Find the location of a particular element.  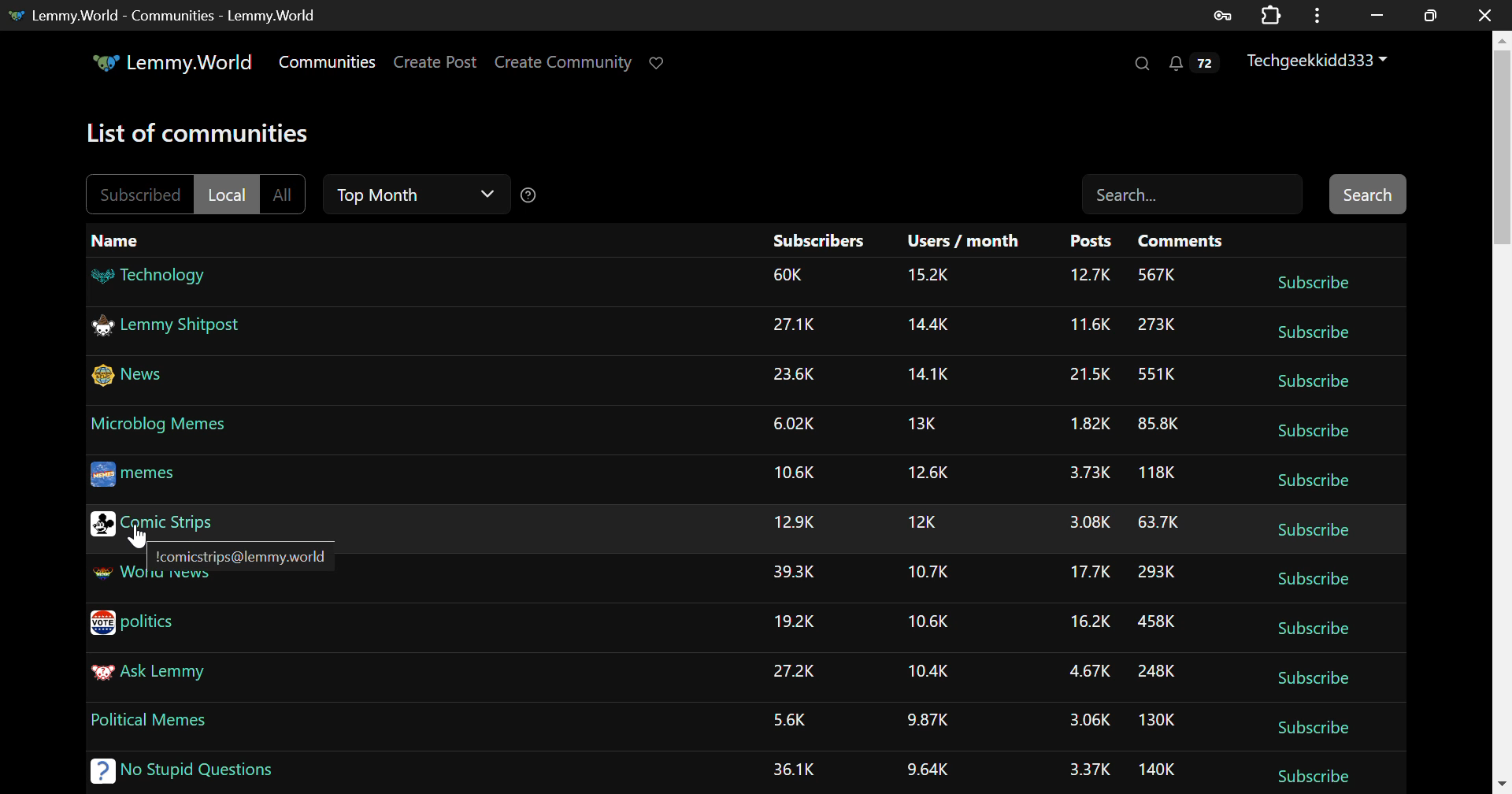

Search is located at coordinates (1140, 64).